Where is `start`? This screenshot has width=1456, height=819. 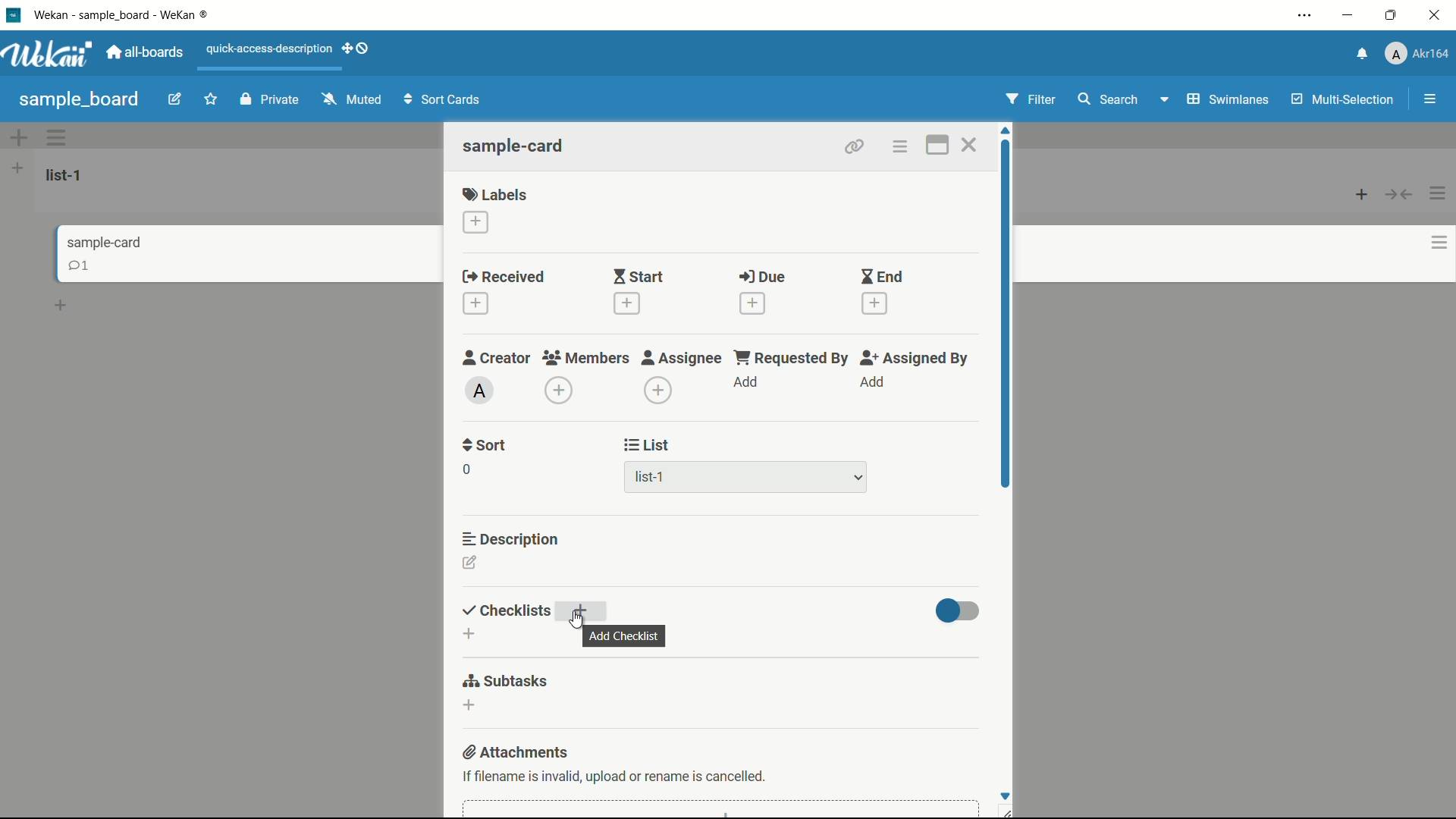
start is located at coordinates (640, 277).